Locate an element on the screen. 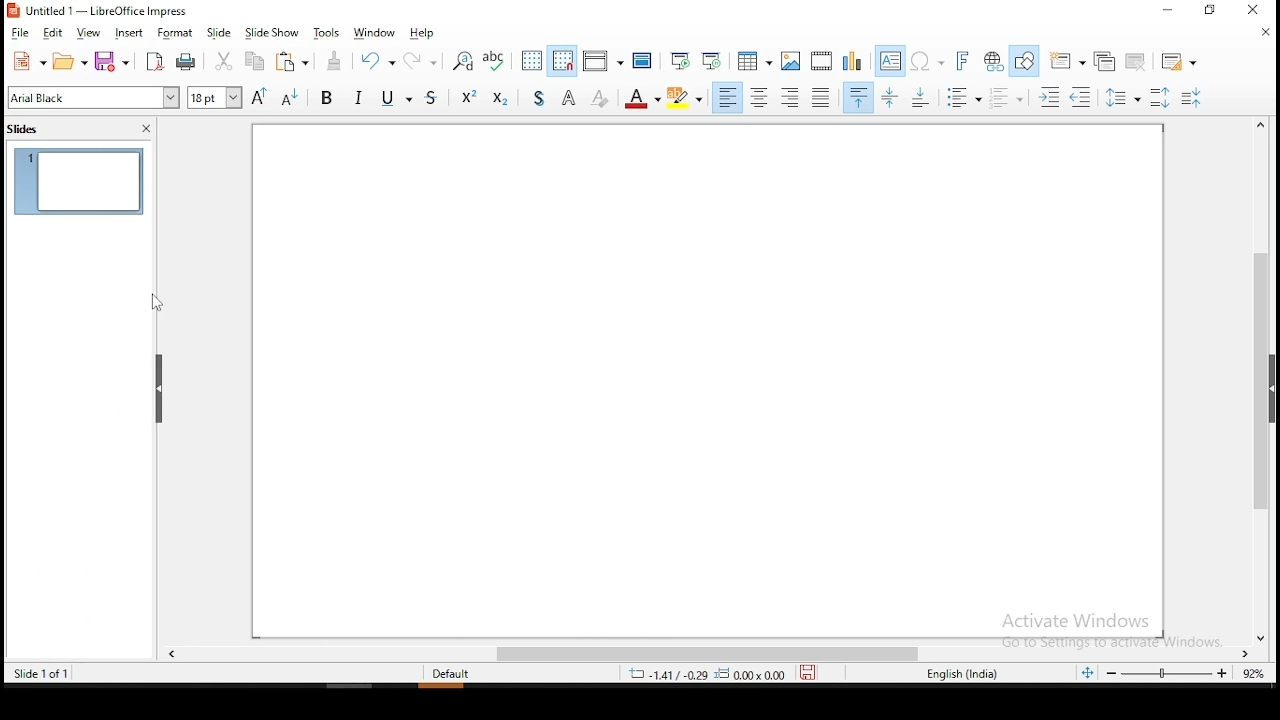  font color is located at coordinates (645, 99).